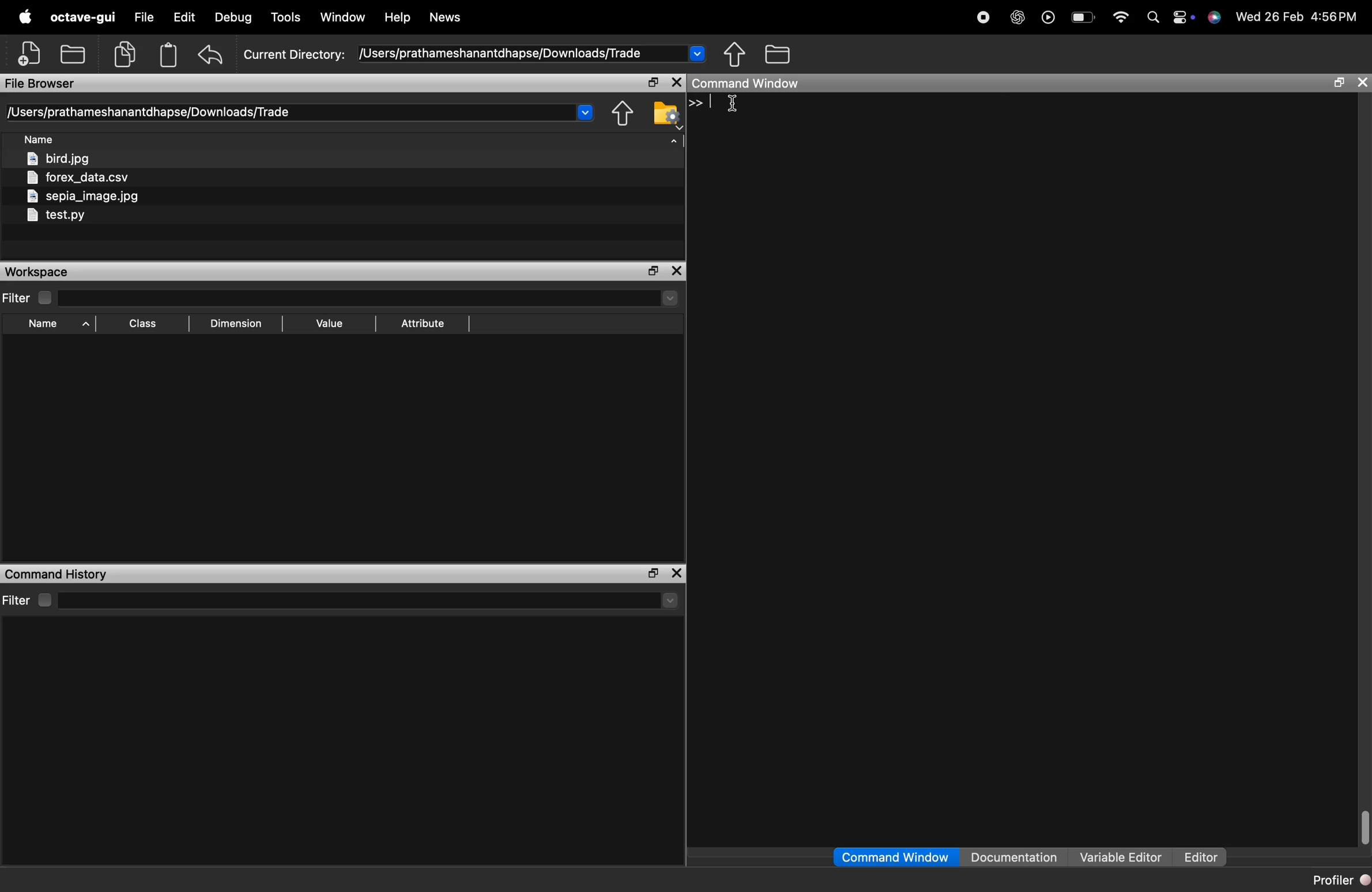 Image resolution: width=1372 pixels, height=892 pixels. Describe the element at coordinates (1340, 83) in the screenshot. I see `separate the window` at that location.